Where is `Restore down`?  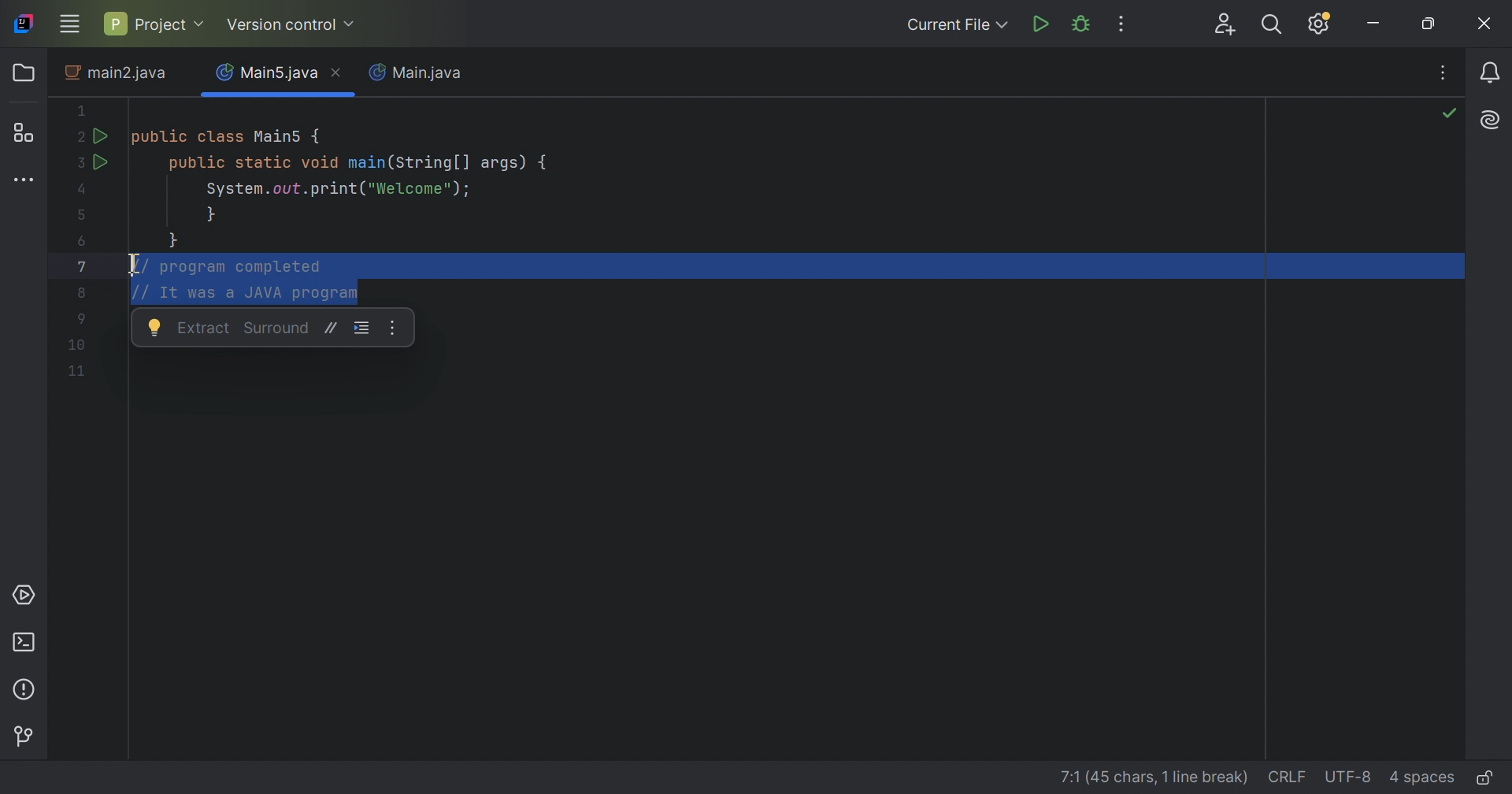
Restore down is located at coordinates (1432, 25).